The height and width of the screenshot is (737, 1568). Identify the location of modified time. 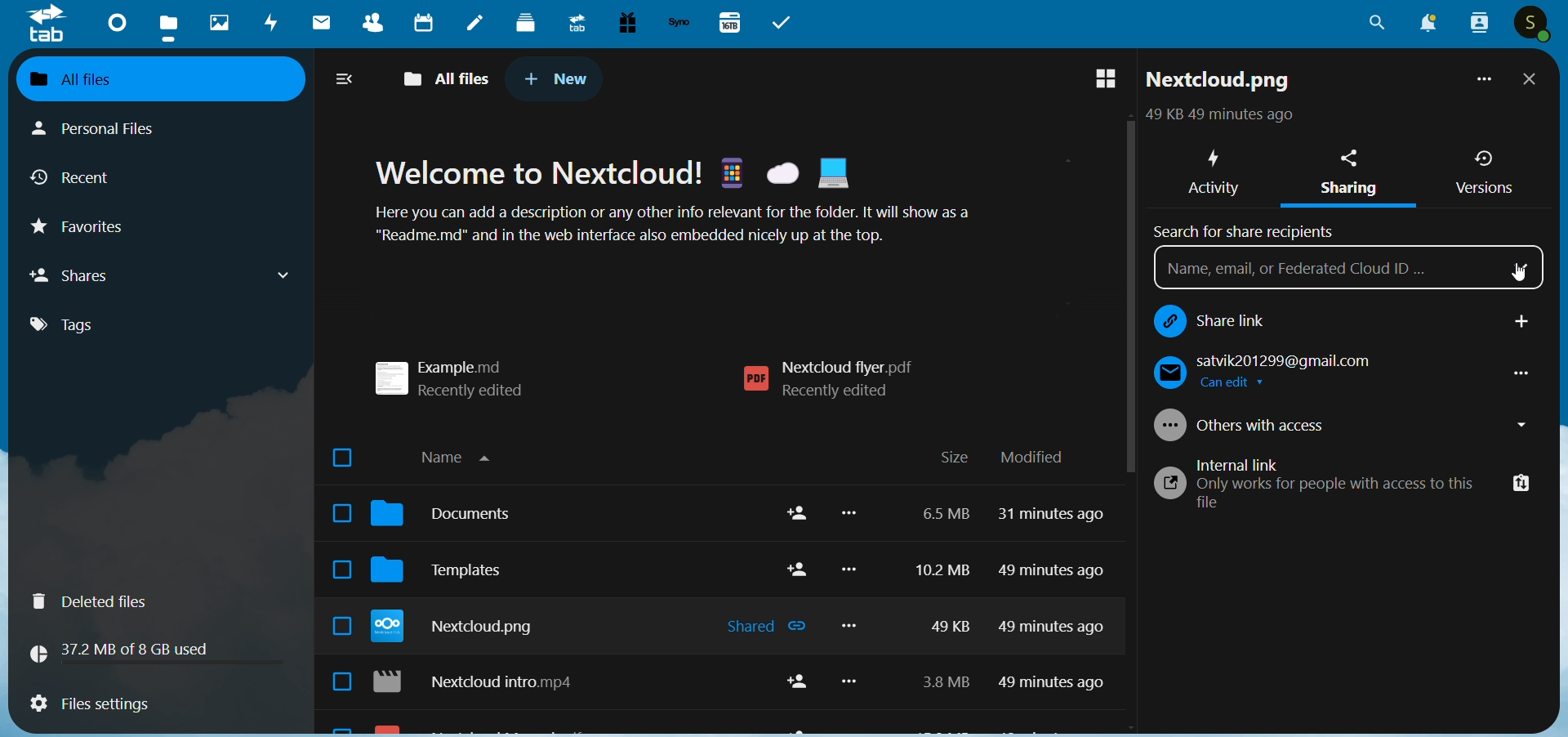
(1056, 606).